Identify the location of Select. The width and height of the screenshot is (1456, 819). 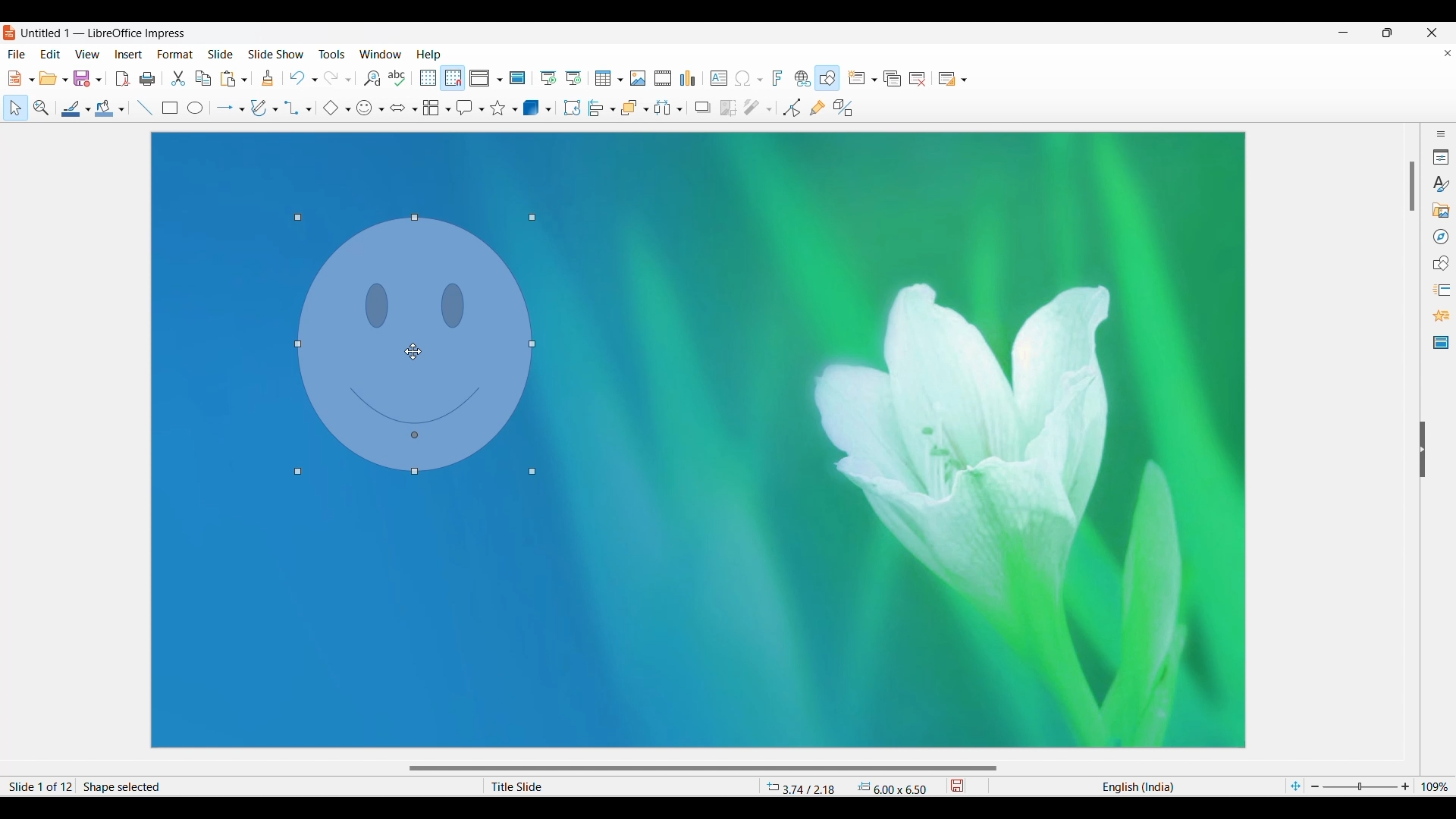
(16, 108).